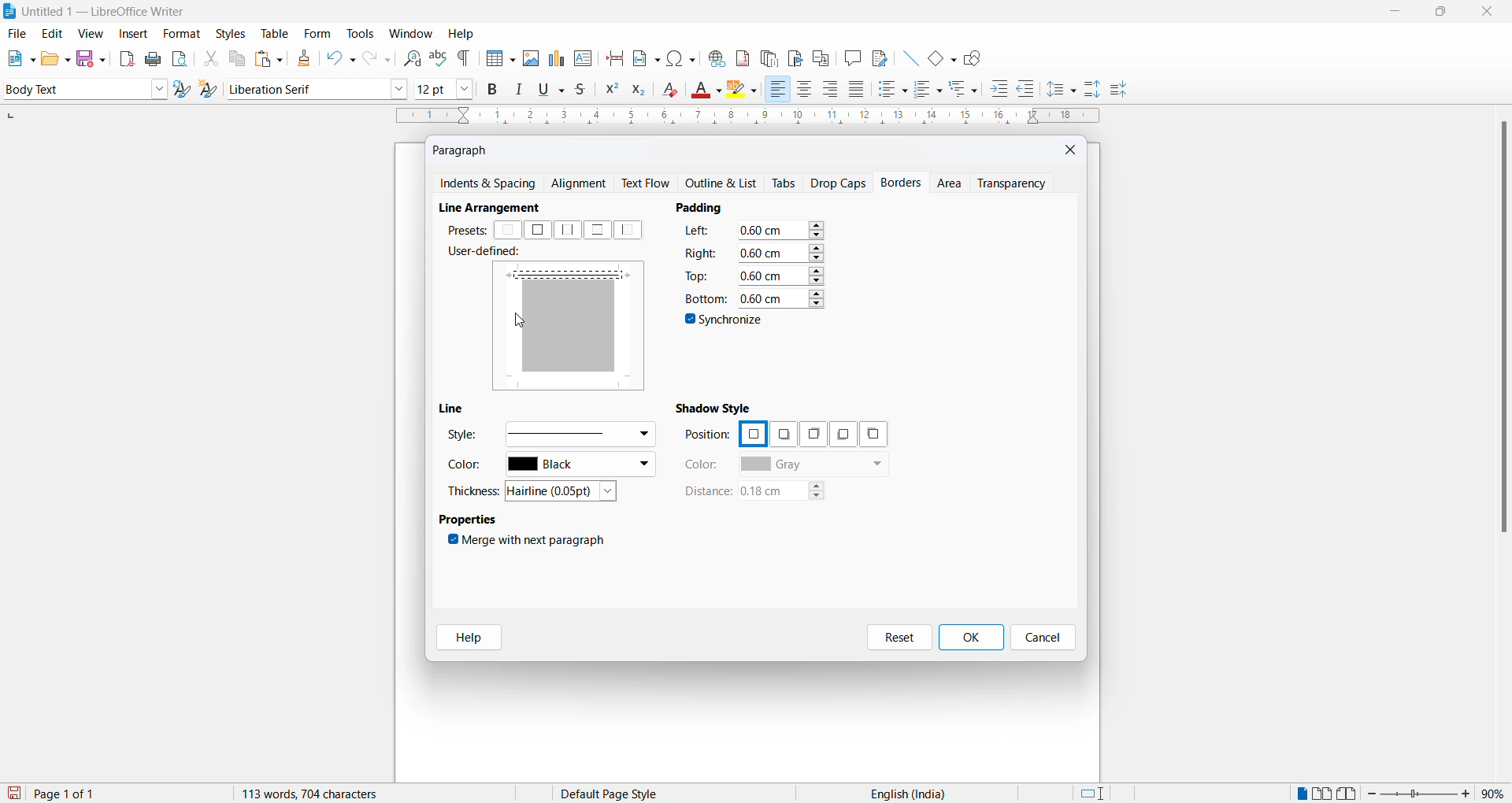 This screenshot has width=1512, height=803. What do you see at coordinates (650, 183) in the screenshot?
I see `text flow` at bounding box center [650, 183].